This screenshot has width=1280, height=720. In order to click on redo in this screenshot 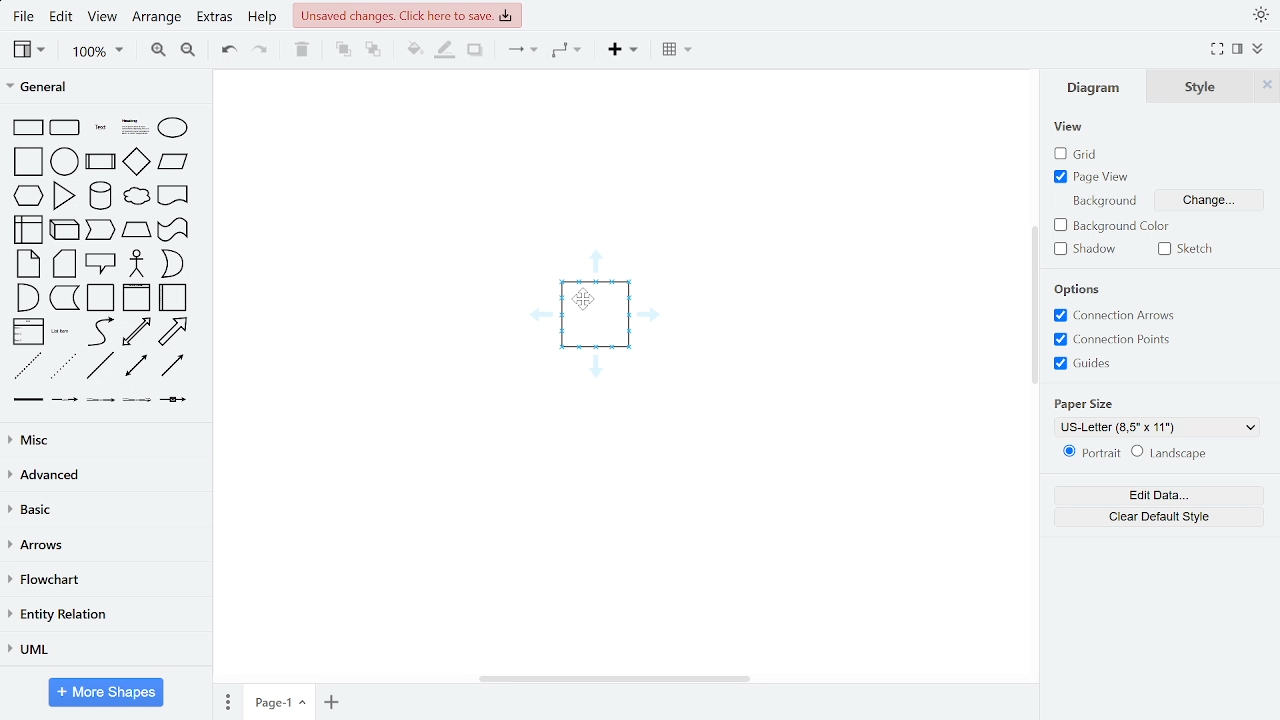, I will do `click(262, 51)`.